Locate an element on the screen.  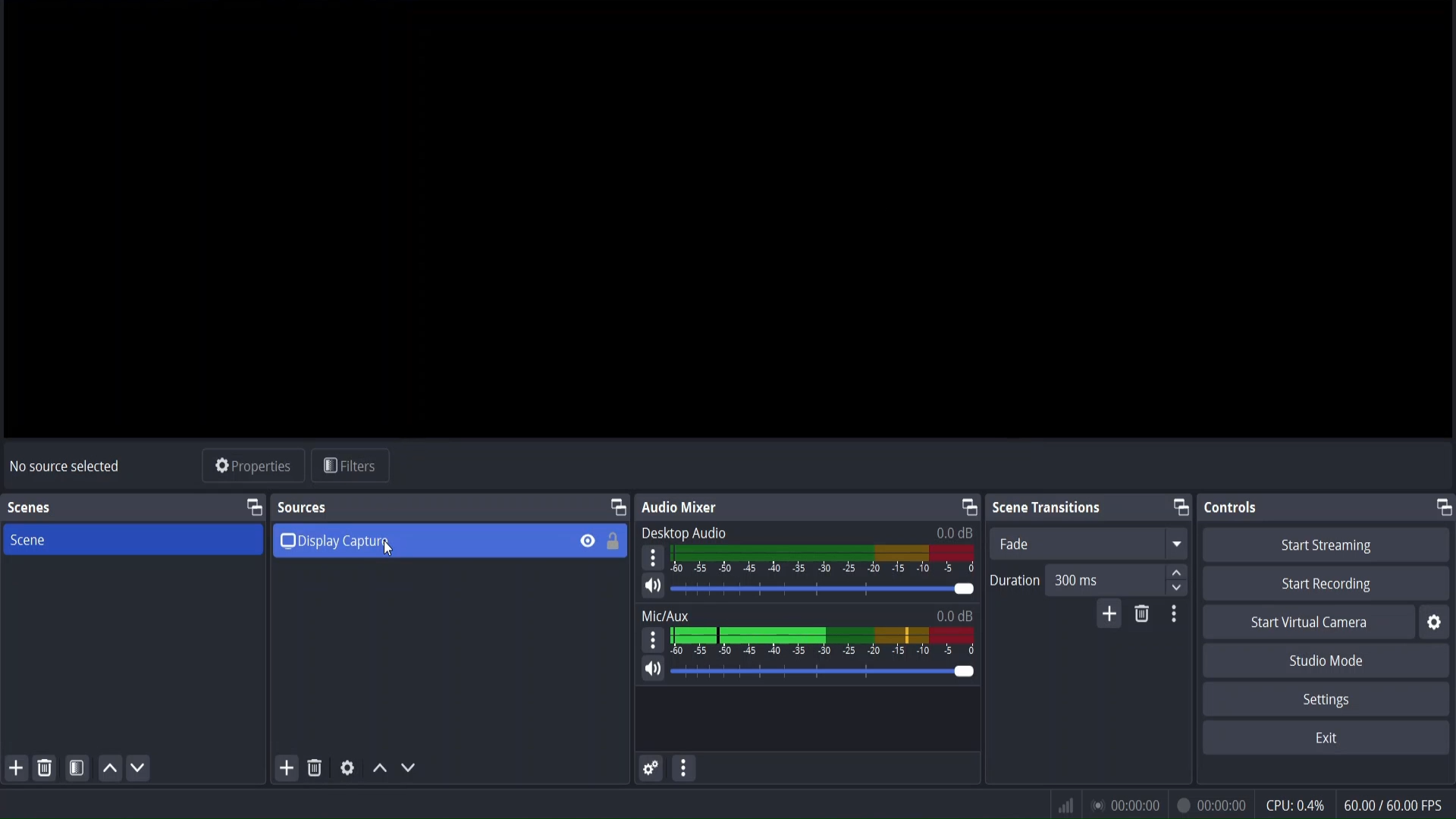
Duration is located at coordinates (1016, 582).